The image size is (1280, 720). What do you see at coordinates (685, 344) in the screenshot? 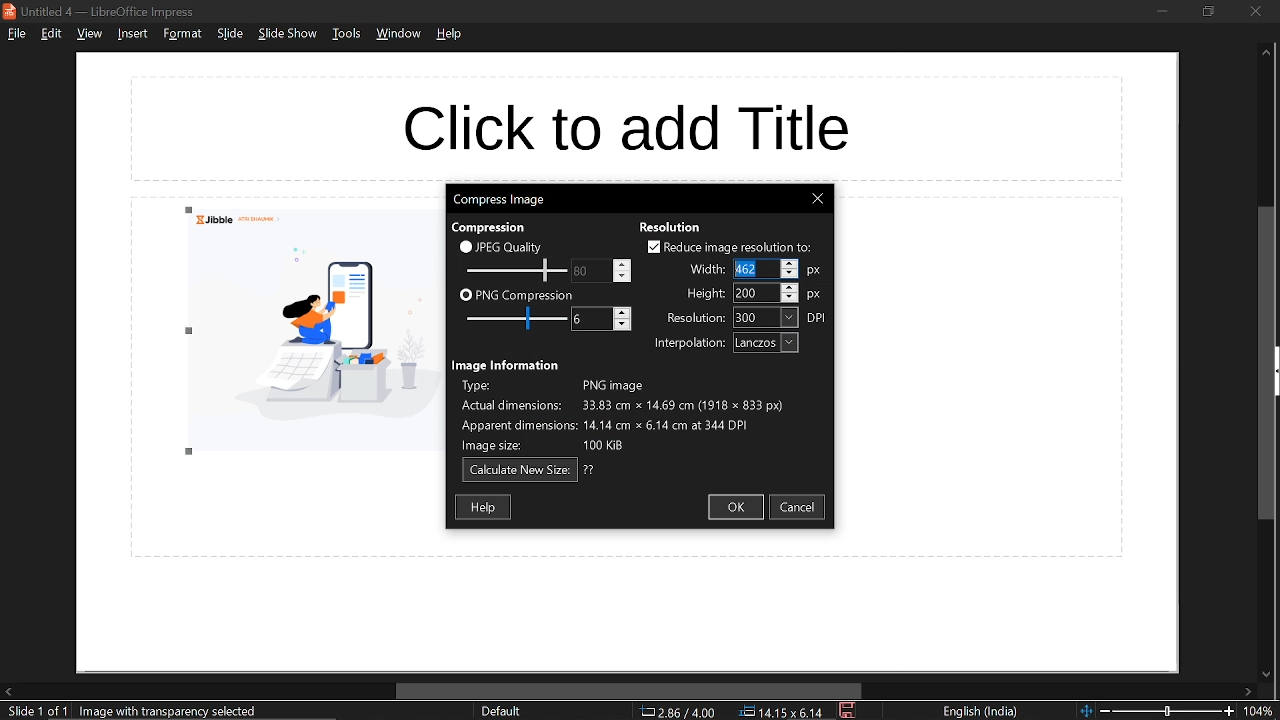
I see `interpolation` at bounding box center [685, 344].